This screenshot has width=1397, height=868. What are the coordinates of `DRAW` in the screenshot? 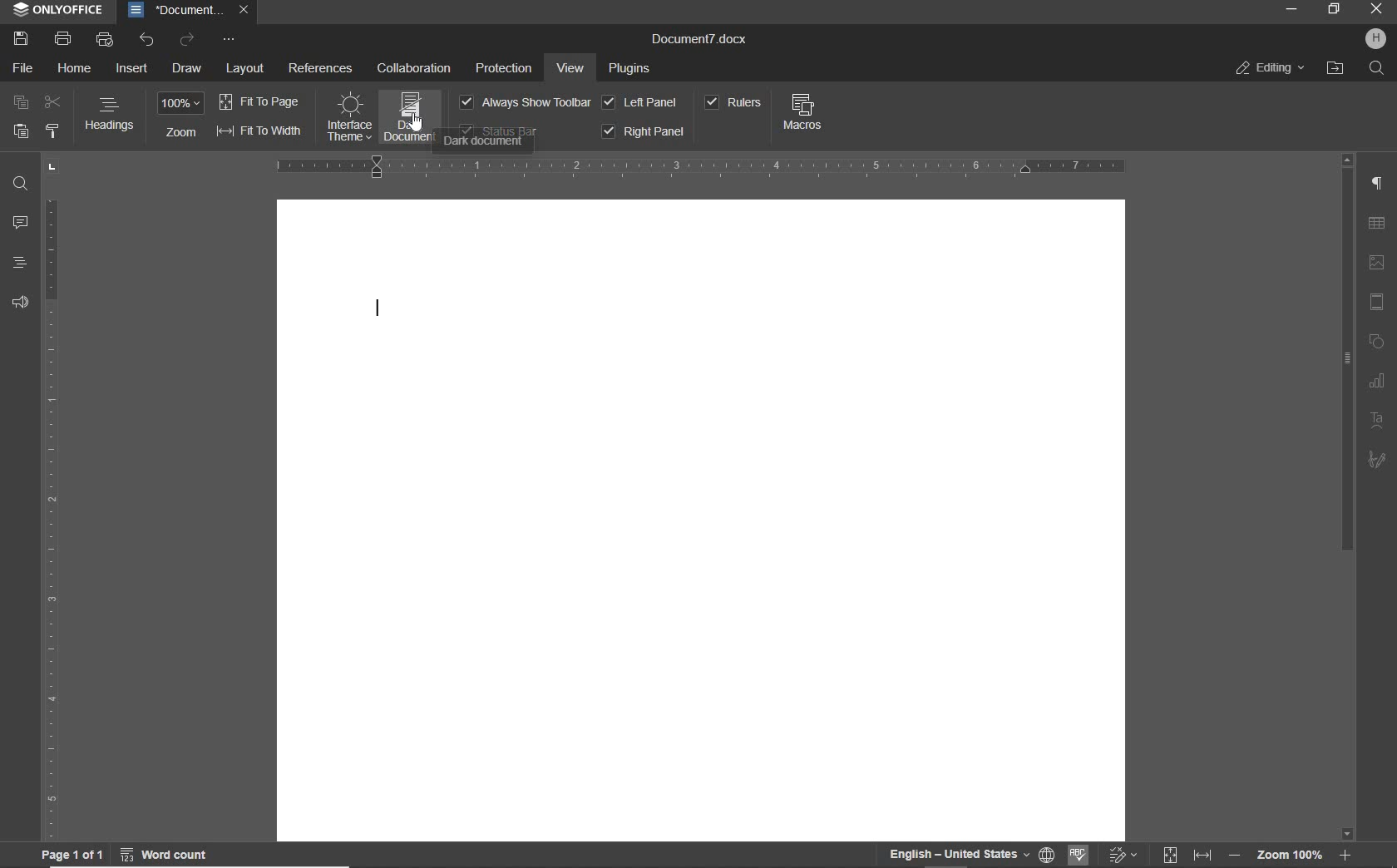 It's located at (187, 72).